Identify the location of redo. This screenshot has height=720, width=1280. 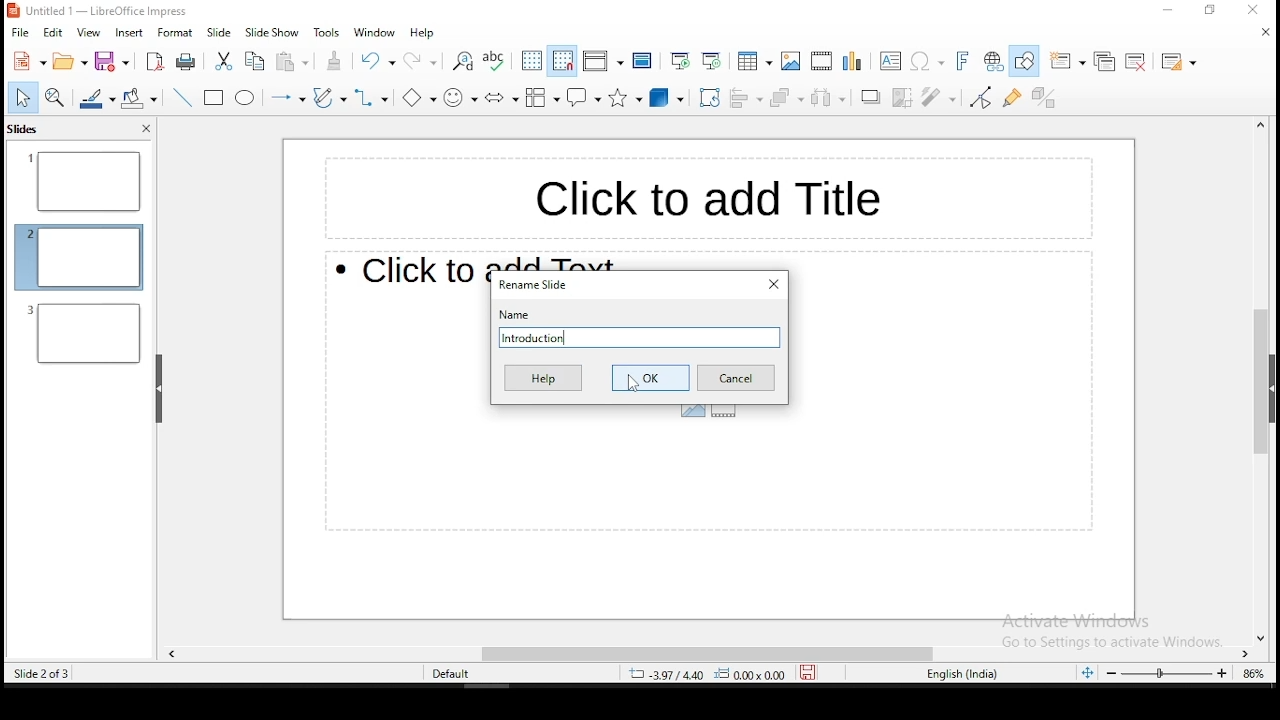
(421, 59).